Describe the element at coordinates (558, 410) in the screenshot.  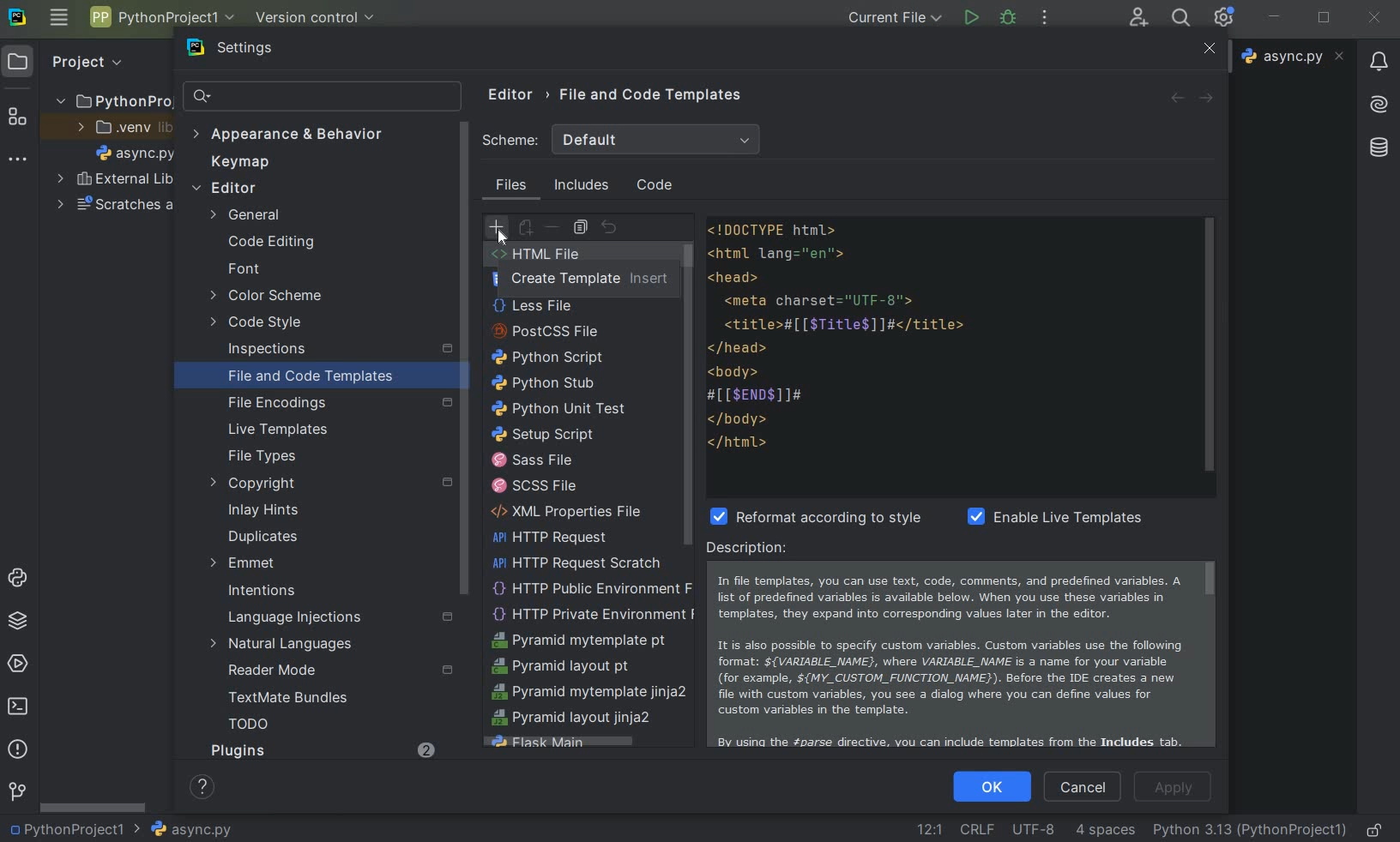
I see `python unit test` at that location.